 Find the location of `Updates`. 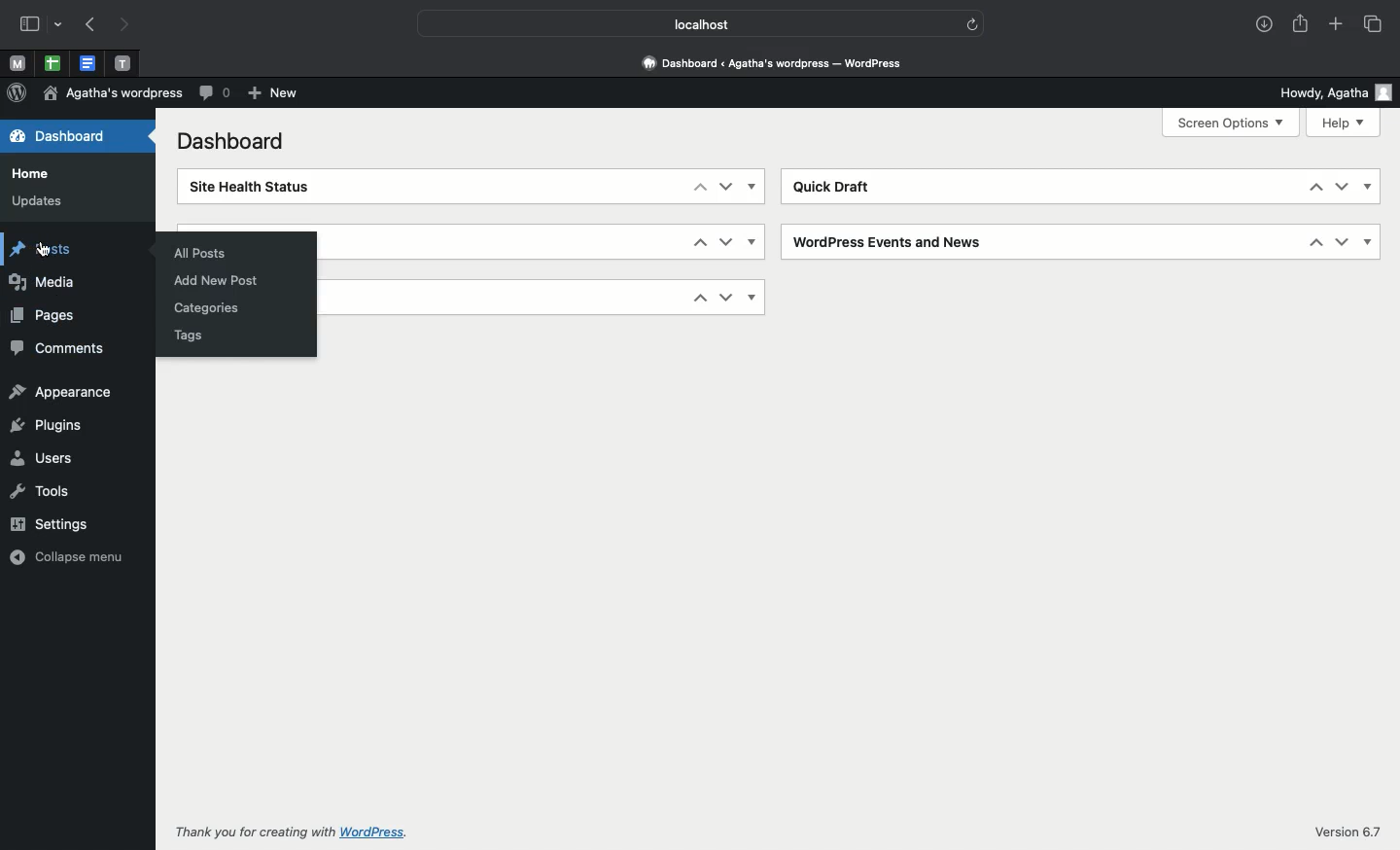

Updates is located at coordinates (36, 201).